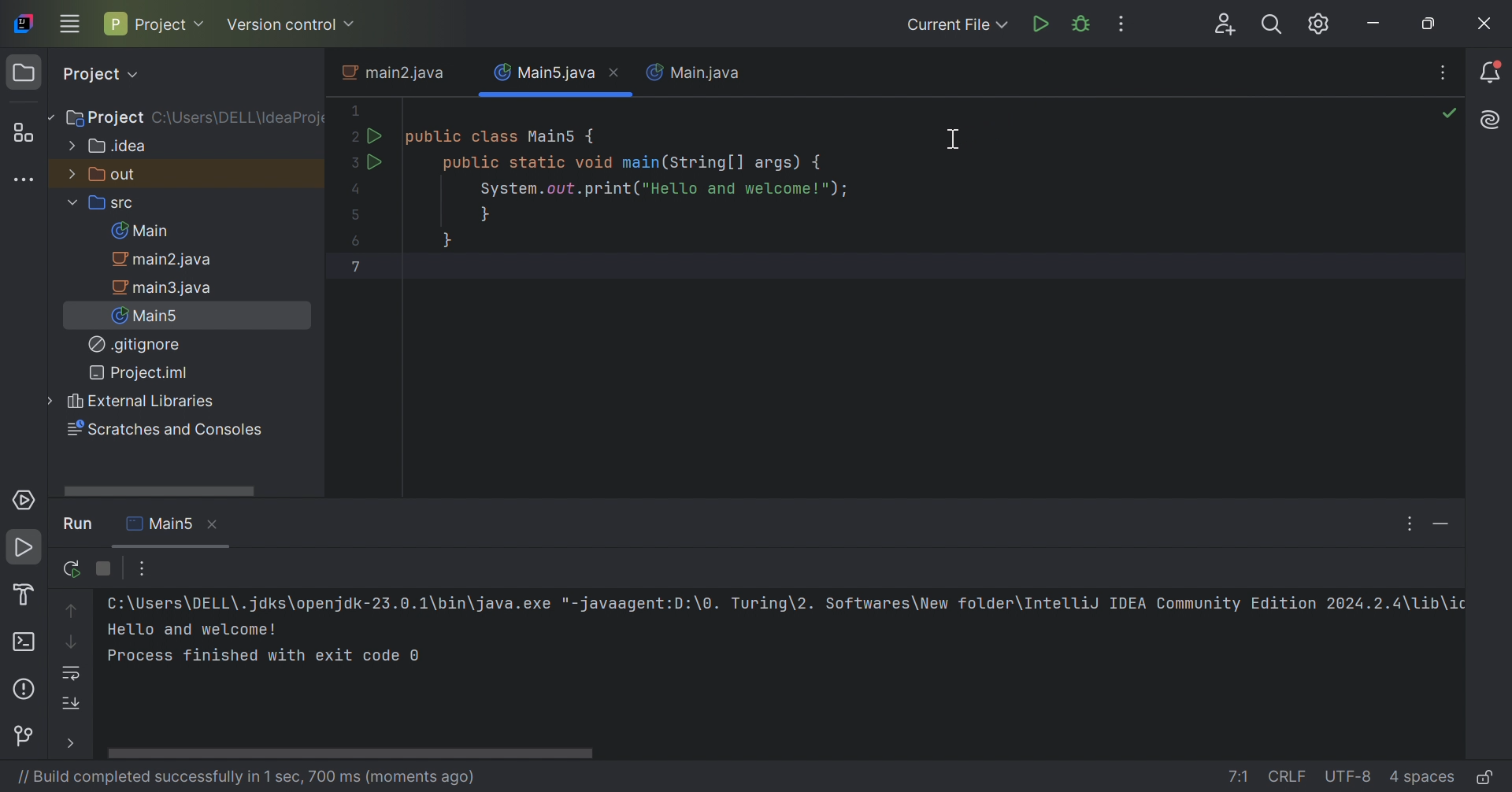 The width and height of the screenshot is (1512, 792). Describe the element at coordinates (165, 289) in the screenshot. I see `main3.java` at that location.